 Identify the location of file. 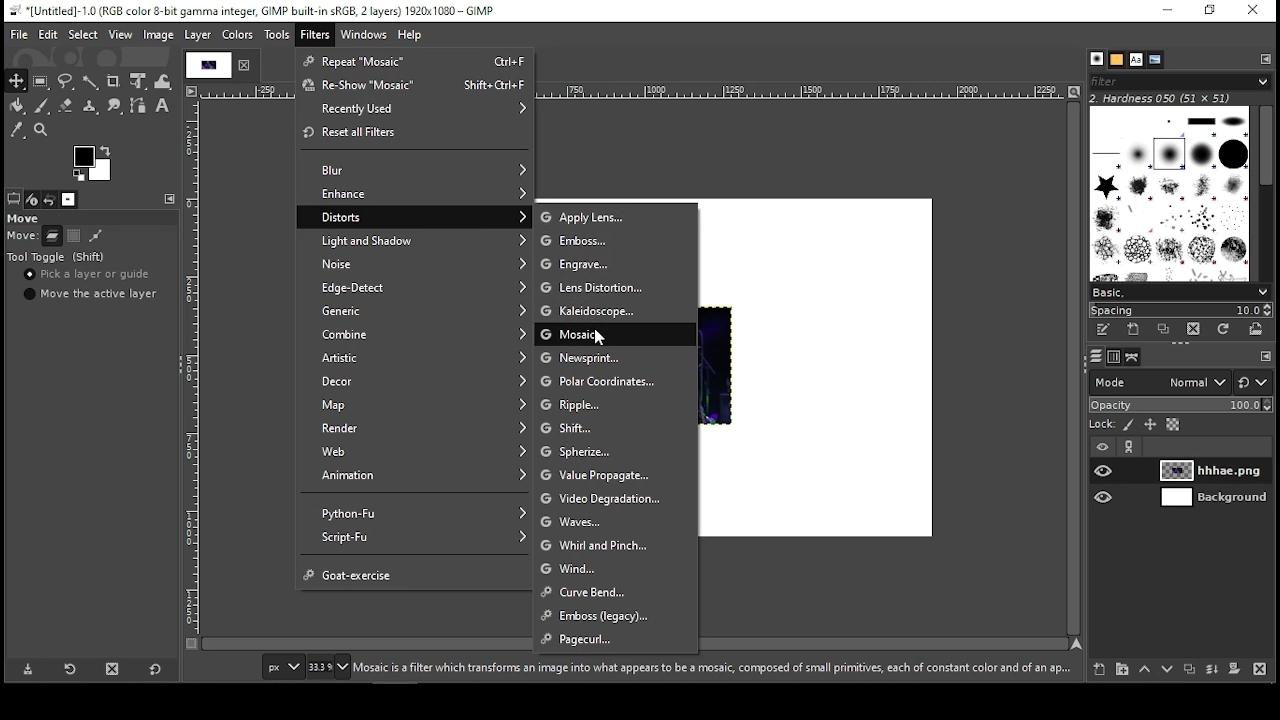
(19, 33).